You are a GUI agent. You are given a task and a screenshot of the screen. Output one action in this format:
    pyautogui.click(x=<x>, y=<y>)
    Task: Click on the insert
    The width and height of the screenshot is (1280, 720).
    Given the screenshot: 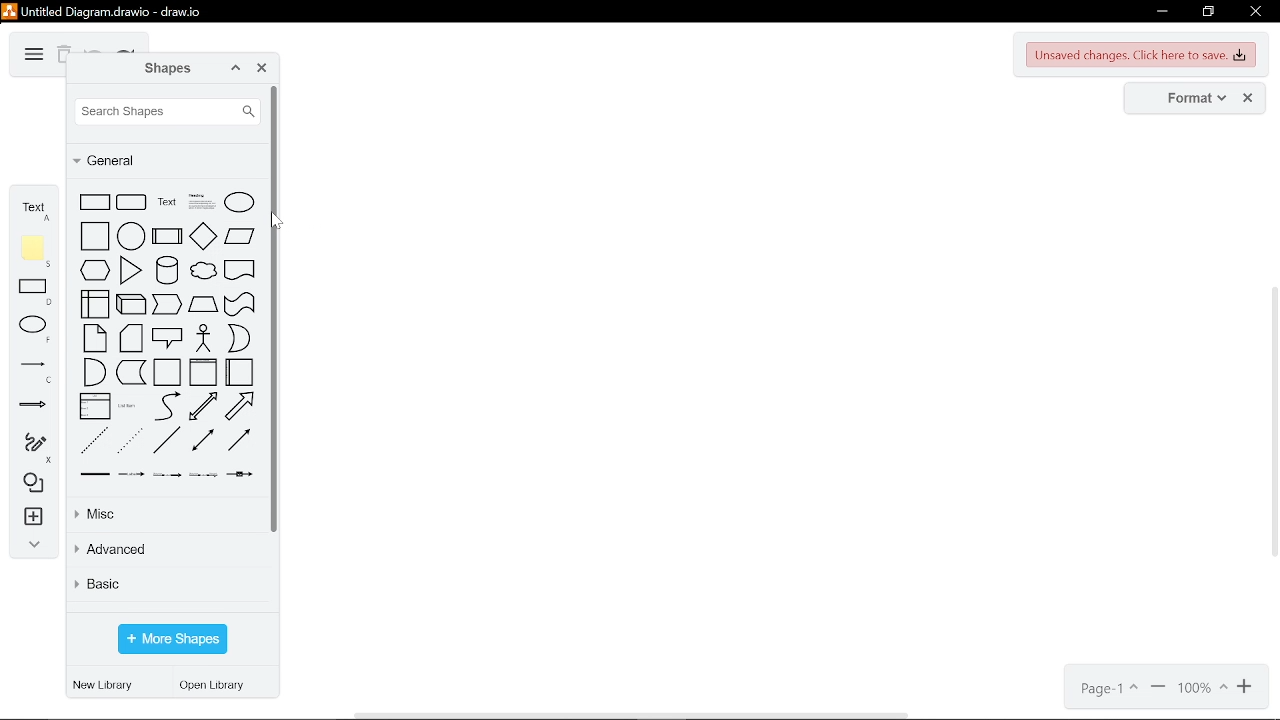 What is the action you would take?
    pyautogui.click(x=31, y=519)
    